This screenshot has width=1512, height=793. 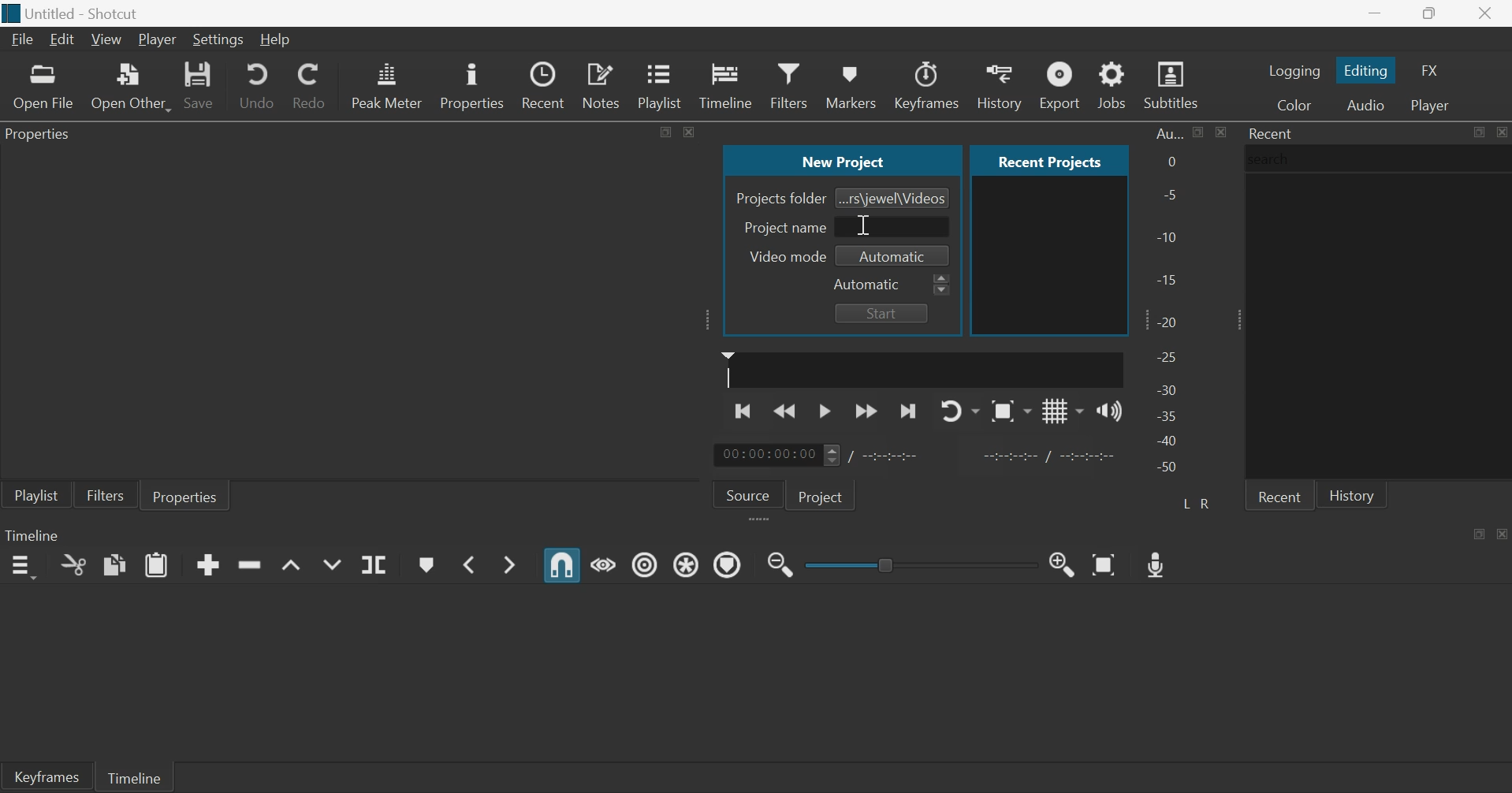 What do you see at coordinates (667, 130) in the screenshot?
I see `Maximize` at bounding box center [667, 130].